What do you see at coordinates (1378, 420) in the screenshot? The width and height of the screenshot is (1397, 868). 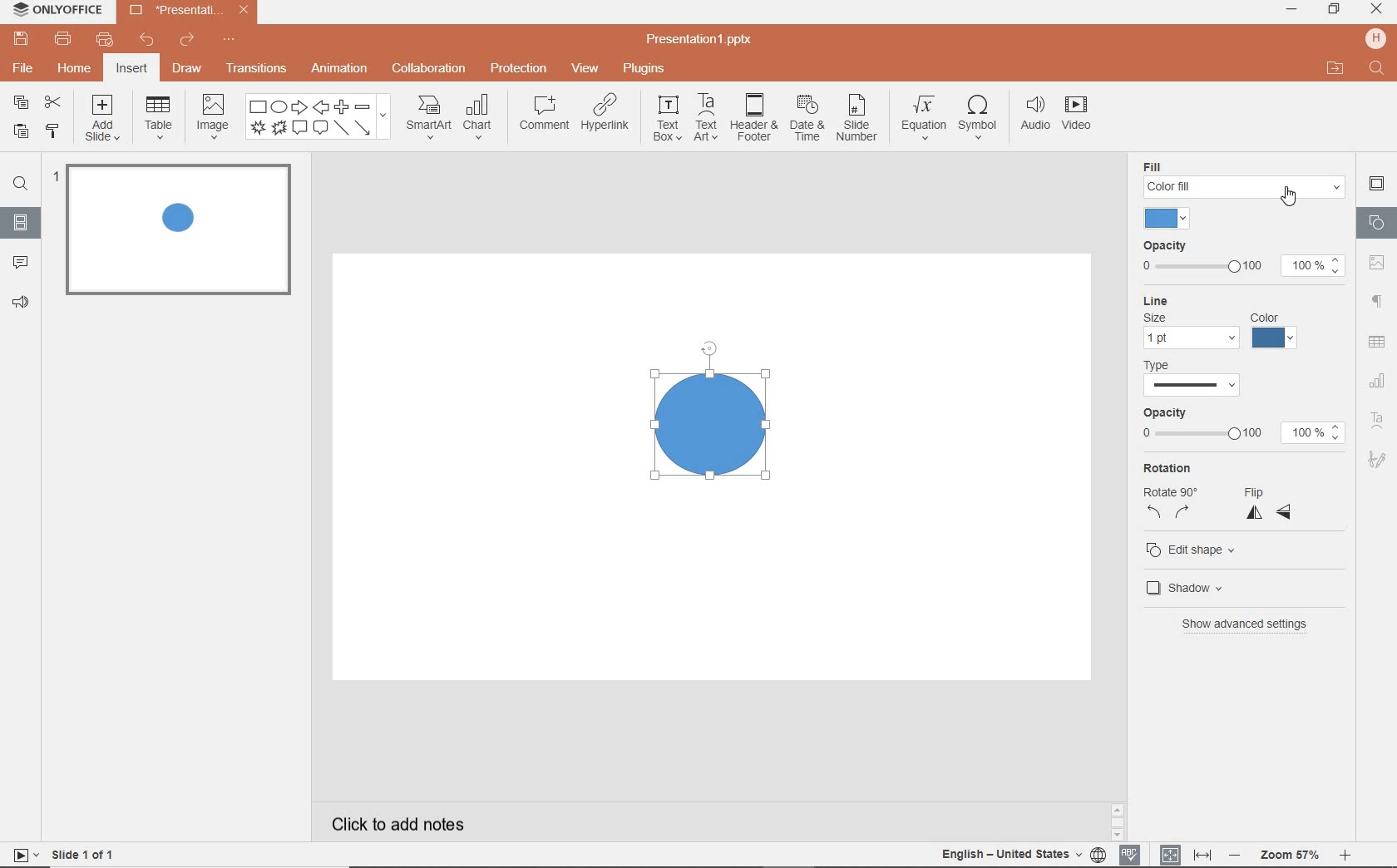 I see `text art` at bounding box center [1378, 420].